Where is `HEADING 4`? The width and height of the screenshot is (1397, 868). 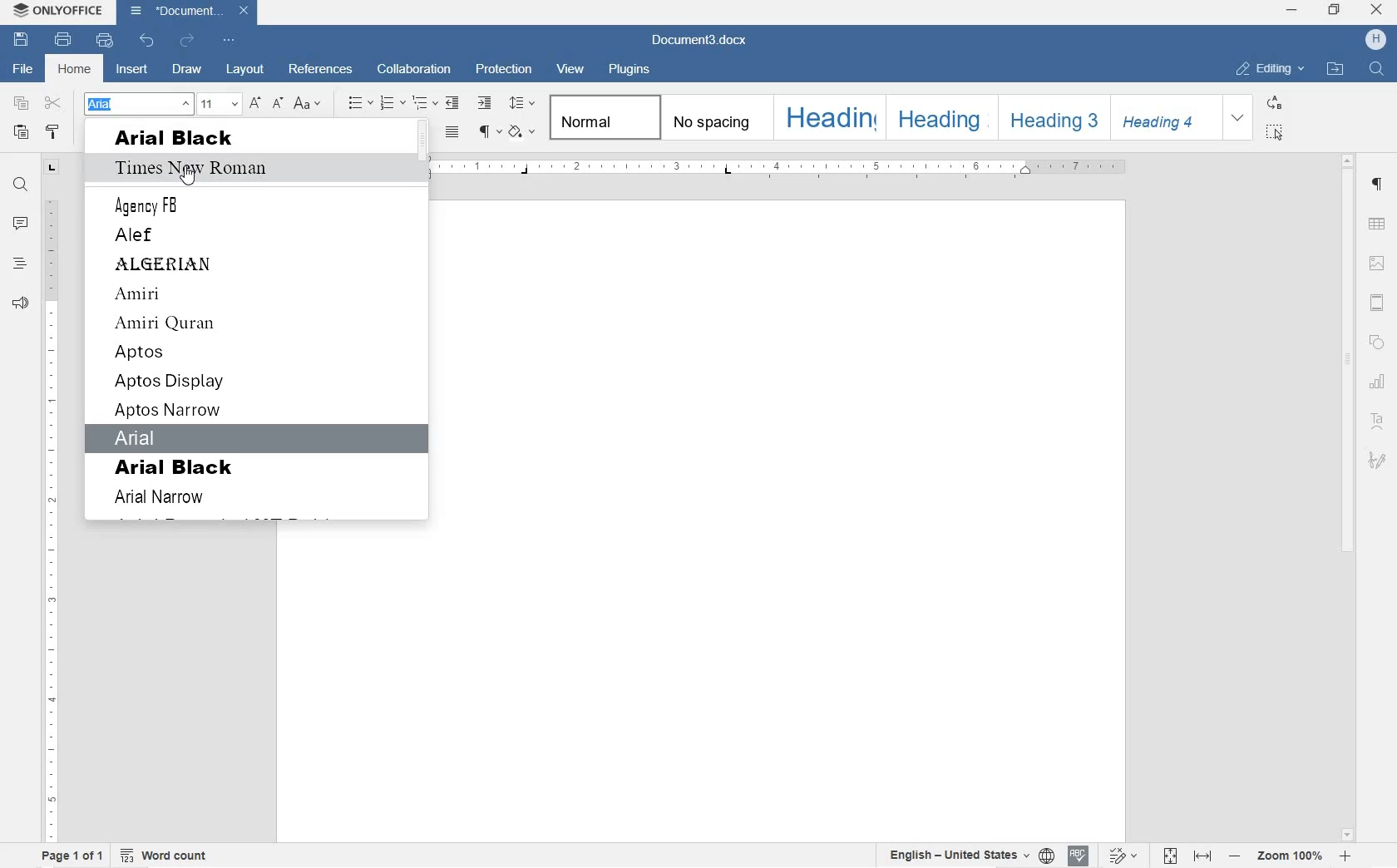
HEADING 4 is located at coordinates (1163, 116).